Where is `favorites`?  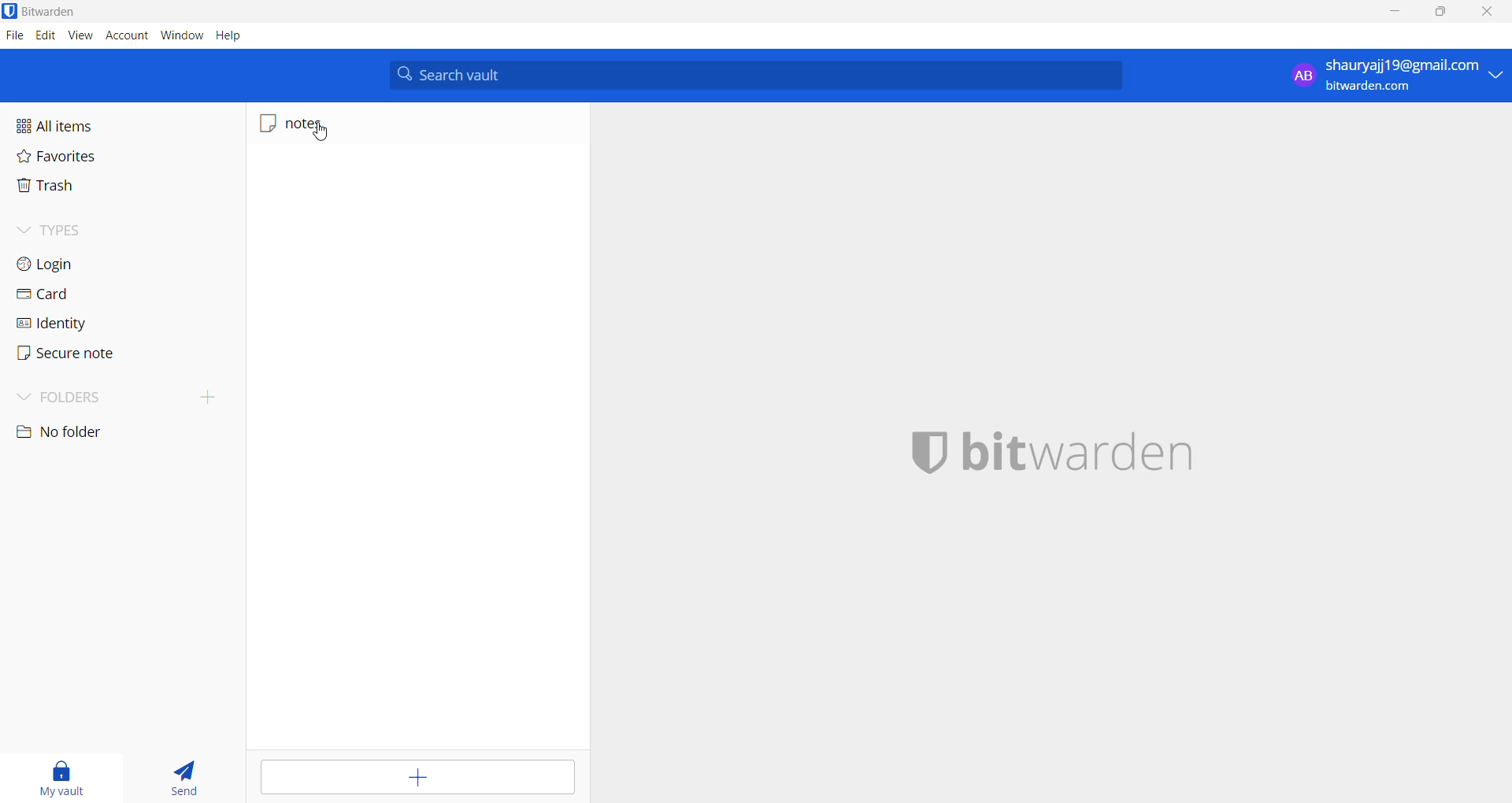
favorites is located at coordinates (72, 157).